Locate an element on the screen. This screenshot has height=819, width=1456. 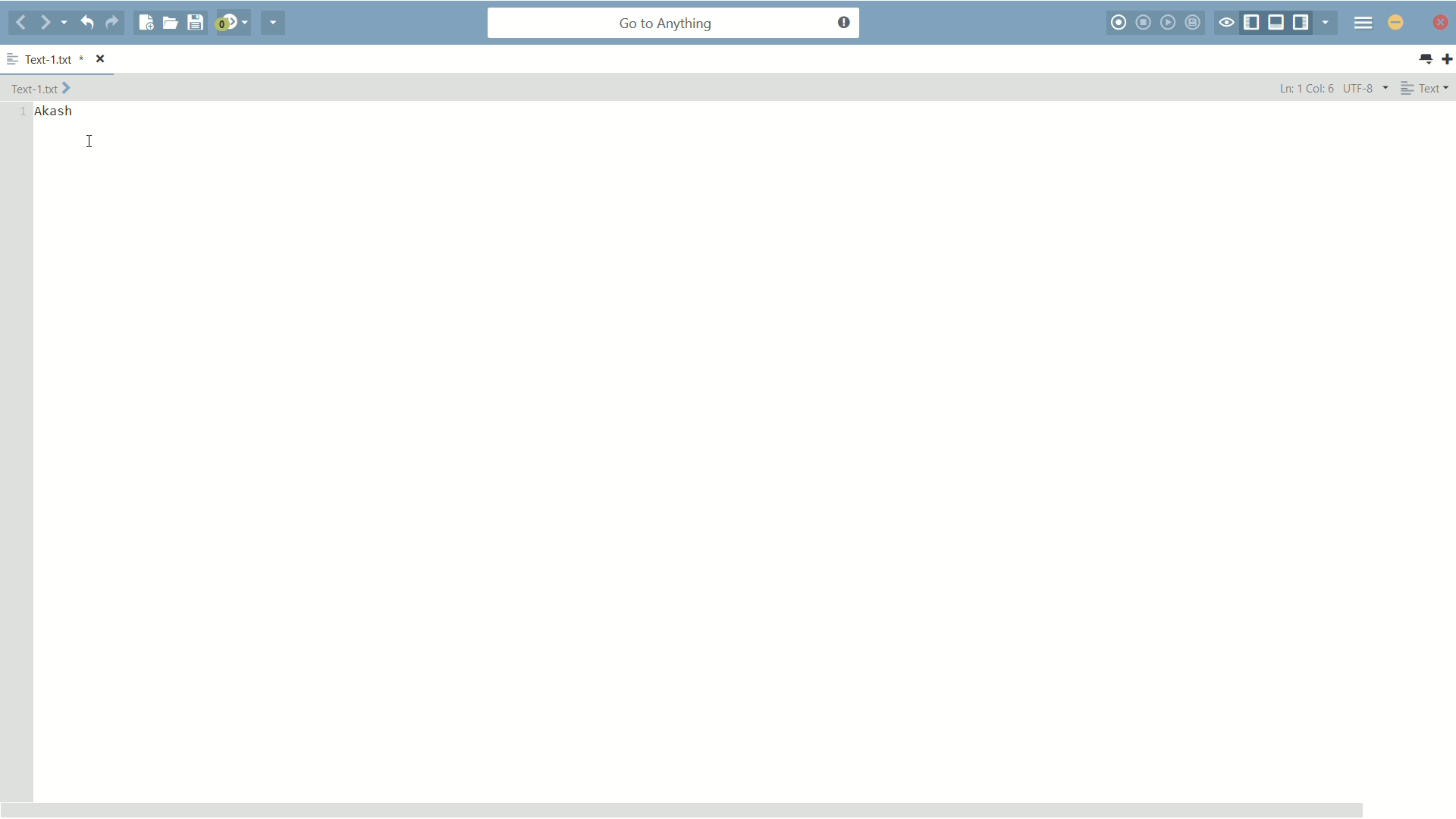
text-1 File is located at coordinates (42, 87).